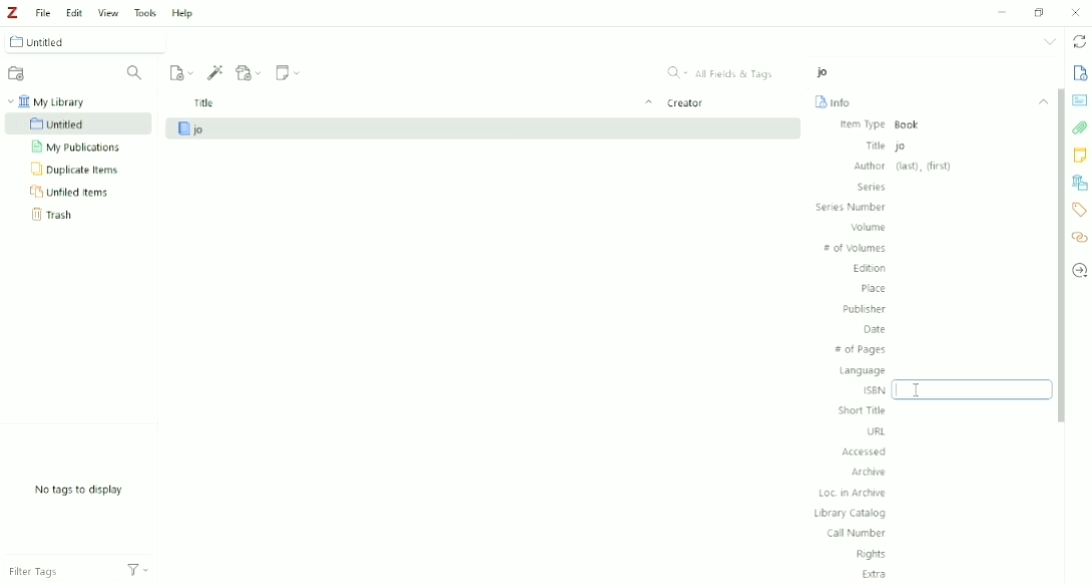  Describe the element at coordinates (135, 75) in the screenshot. I see `Filter Collections` at that location.